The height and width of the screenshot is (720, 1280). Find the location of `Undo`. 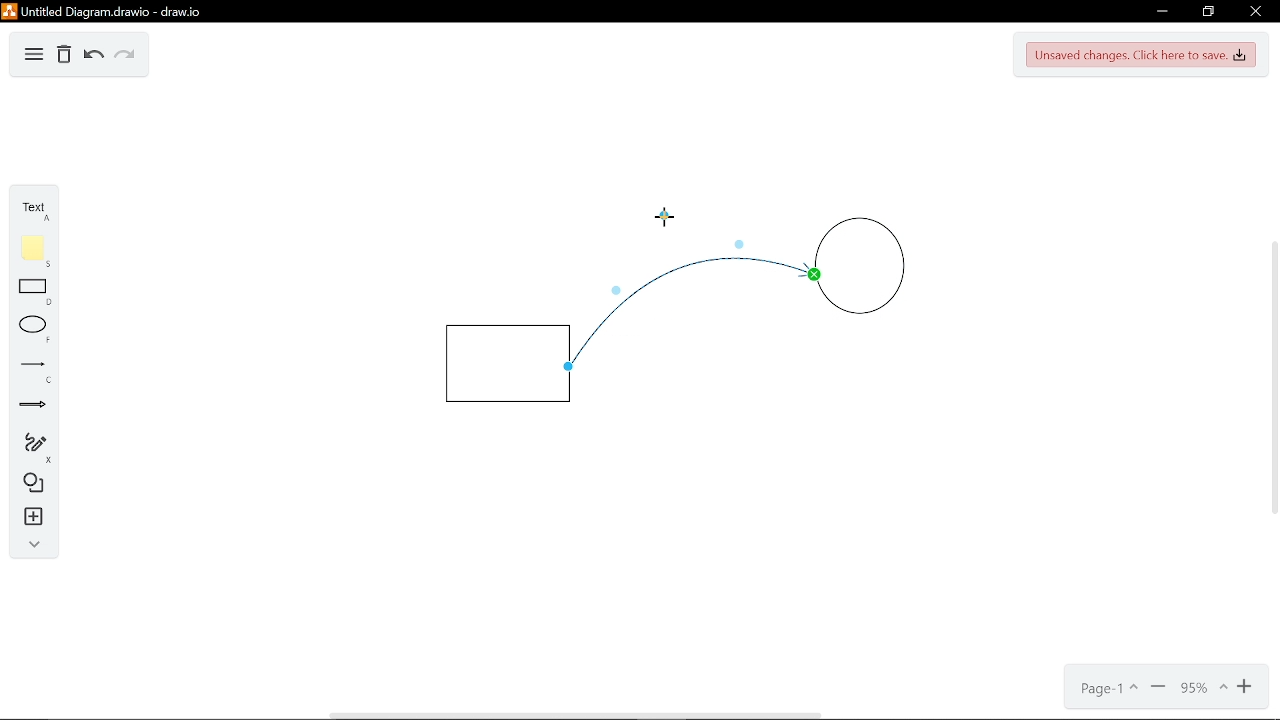

Undo is located at coordinates (92, 56).